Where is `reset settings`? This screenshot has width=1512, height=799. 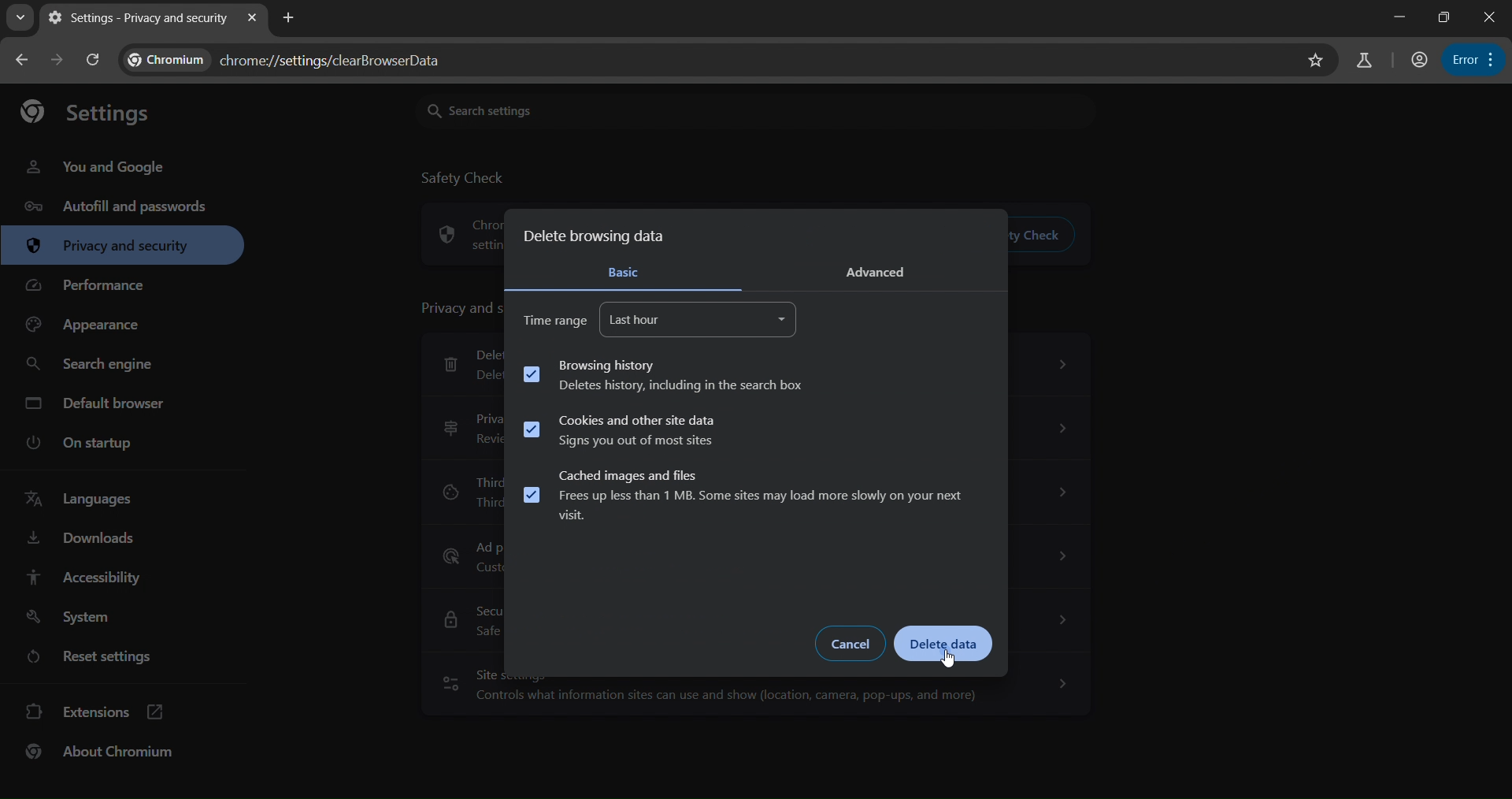 reset settings is located at coordinates (87, 656).